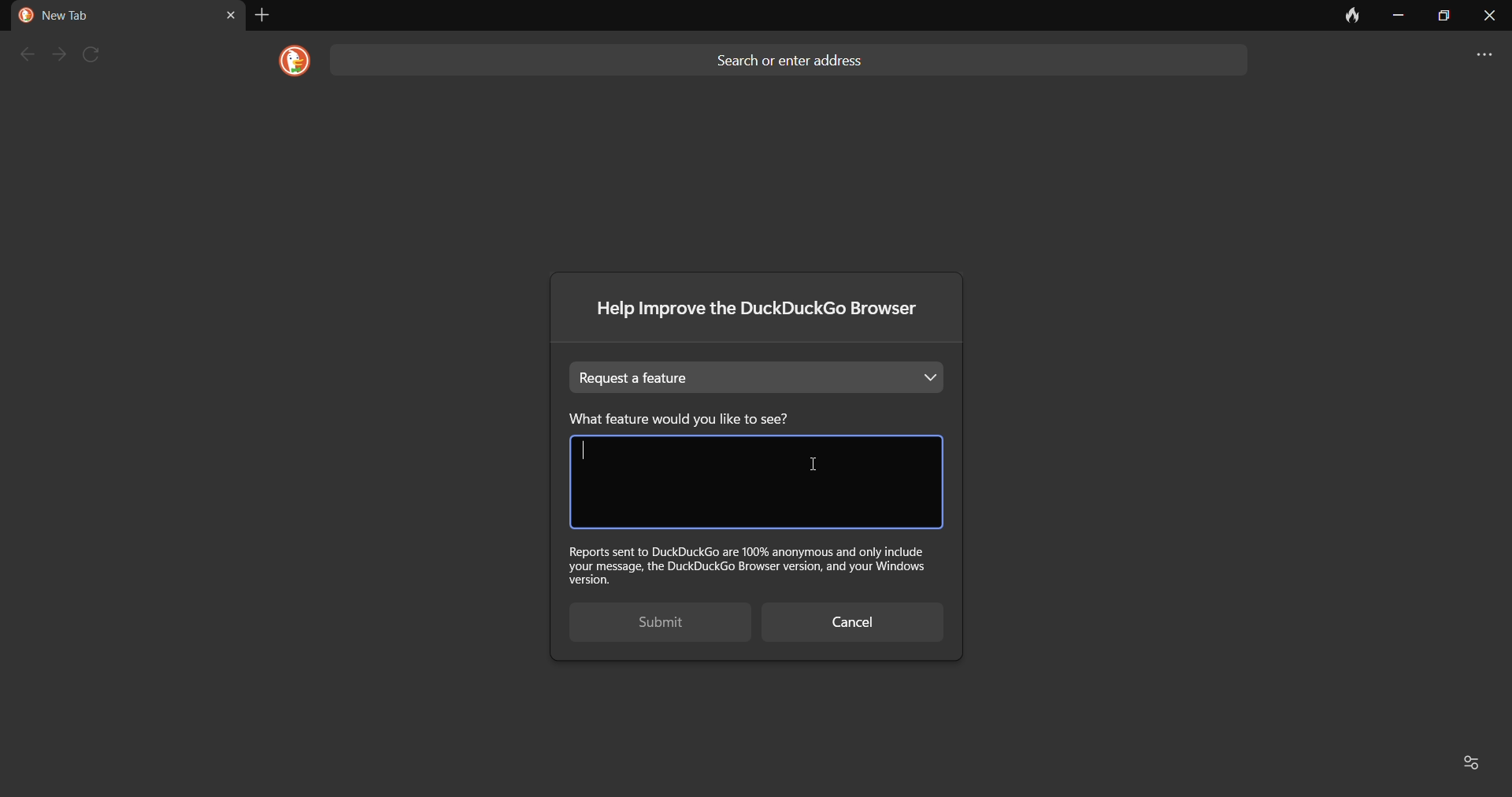 Image resolution: width=1512 pixels, height=797 pixels. What do you see at coordinates (753, 564) in the screenshot?
I see `Report sent to DuckDuckGo our hundred percent anonymous and only include your message, the DuckDuckGo browser version, and your Windows version` at bounding box center [753, 564].